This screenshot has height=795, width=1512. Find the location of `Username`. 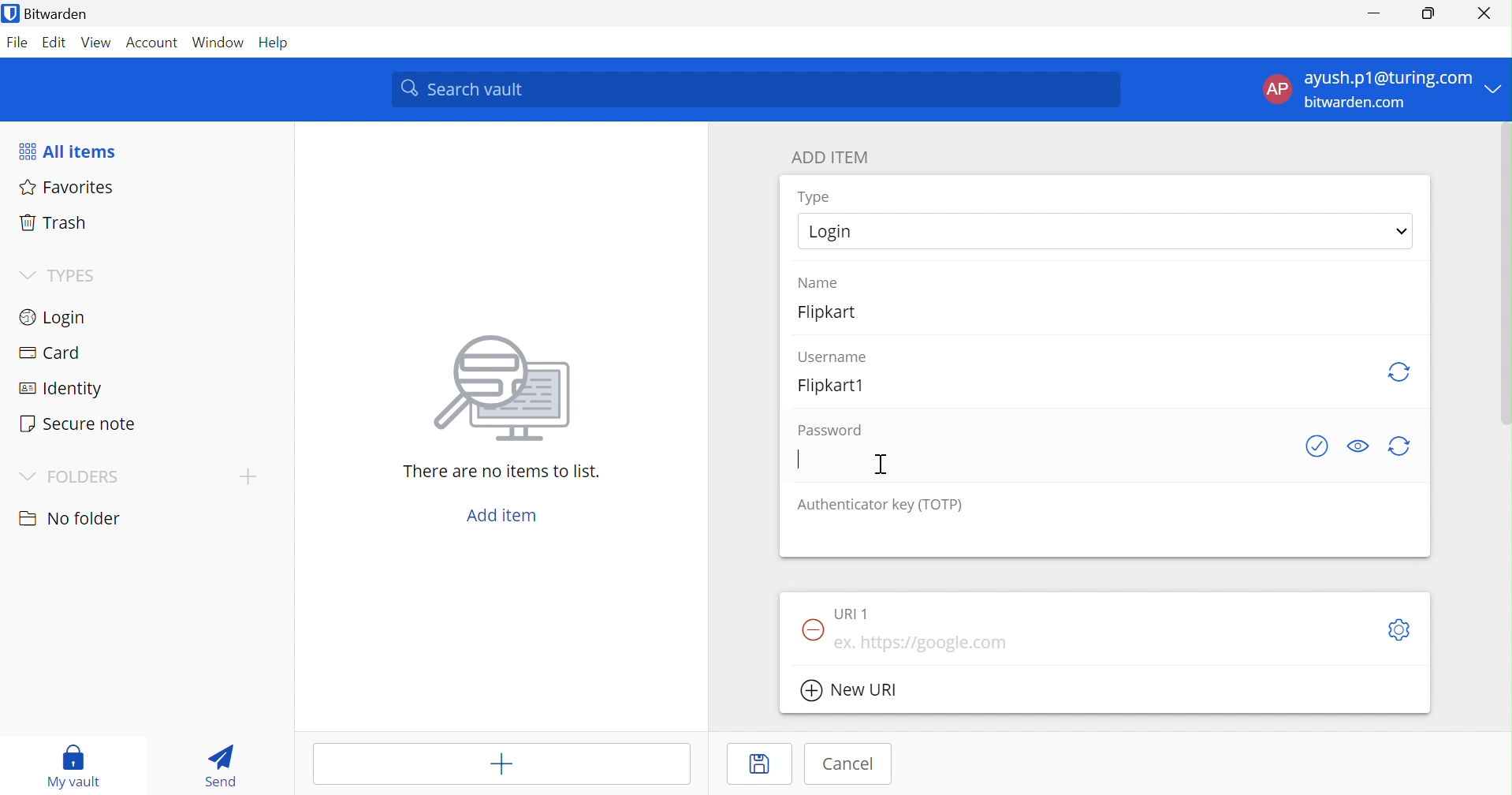

Username is located at coordinates (833, 355).